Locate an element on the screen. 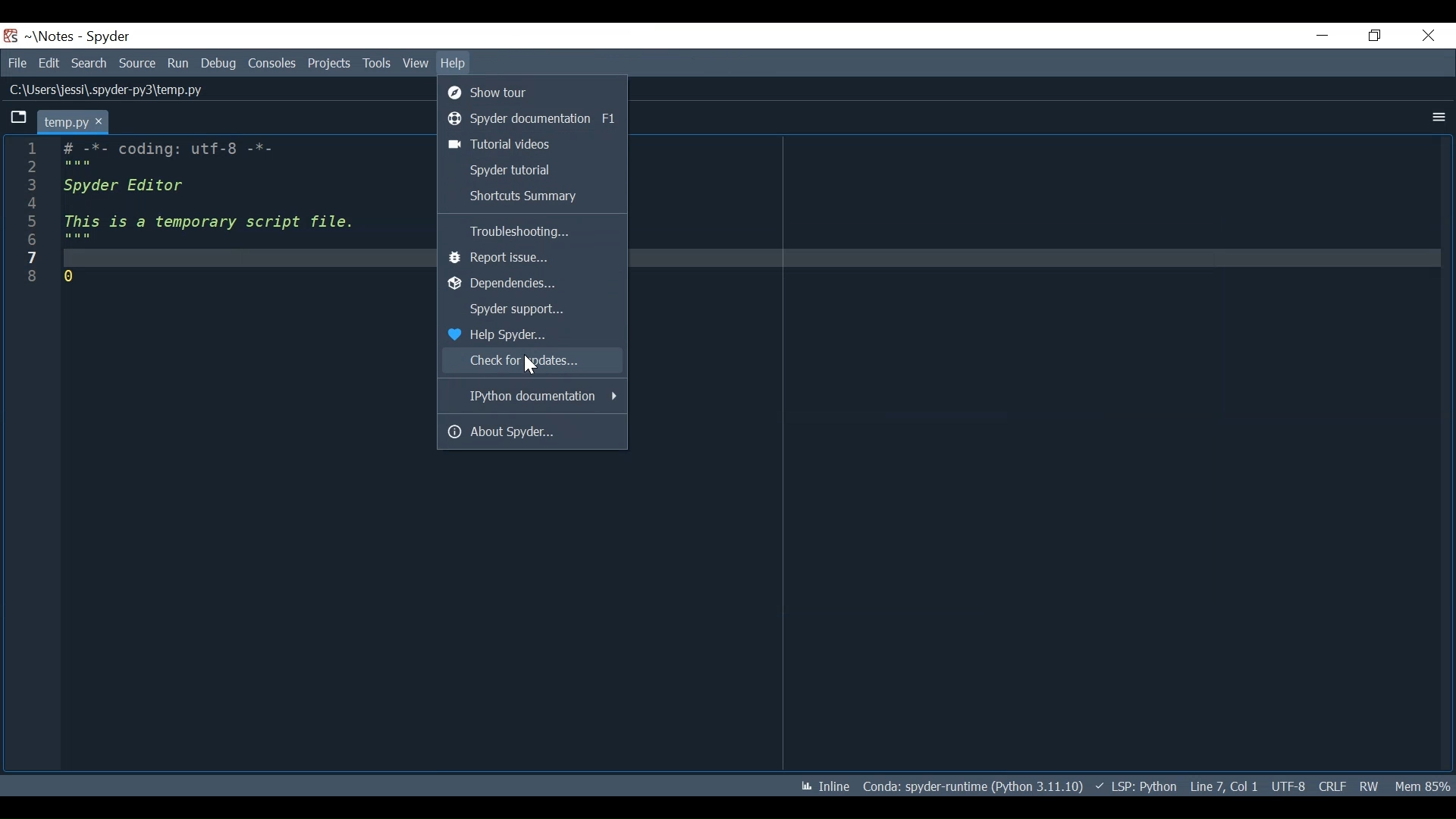 This screenshot has width=1456, height=819. More Options  is located at coordinates (1441, 118).